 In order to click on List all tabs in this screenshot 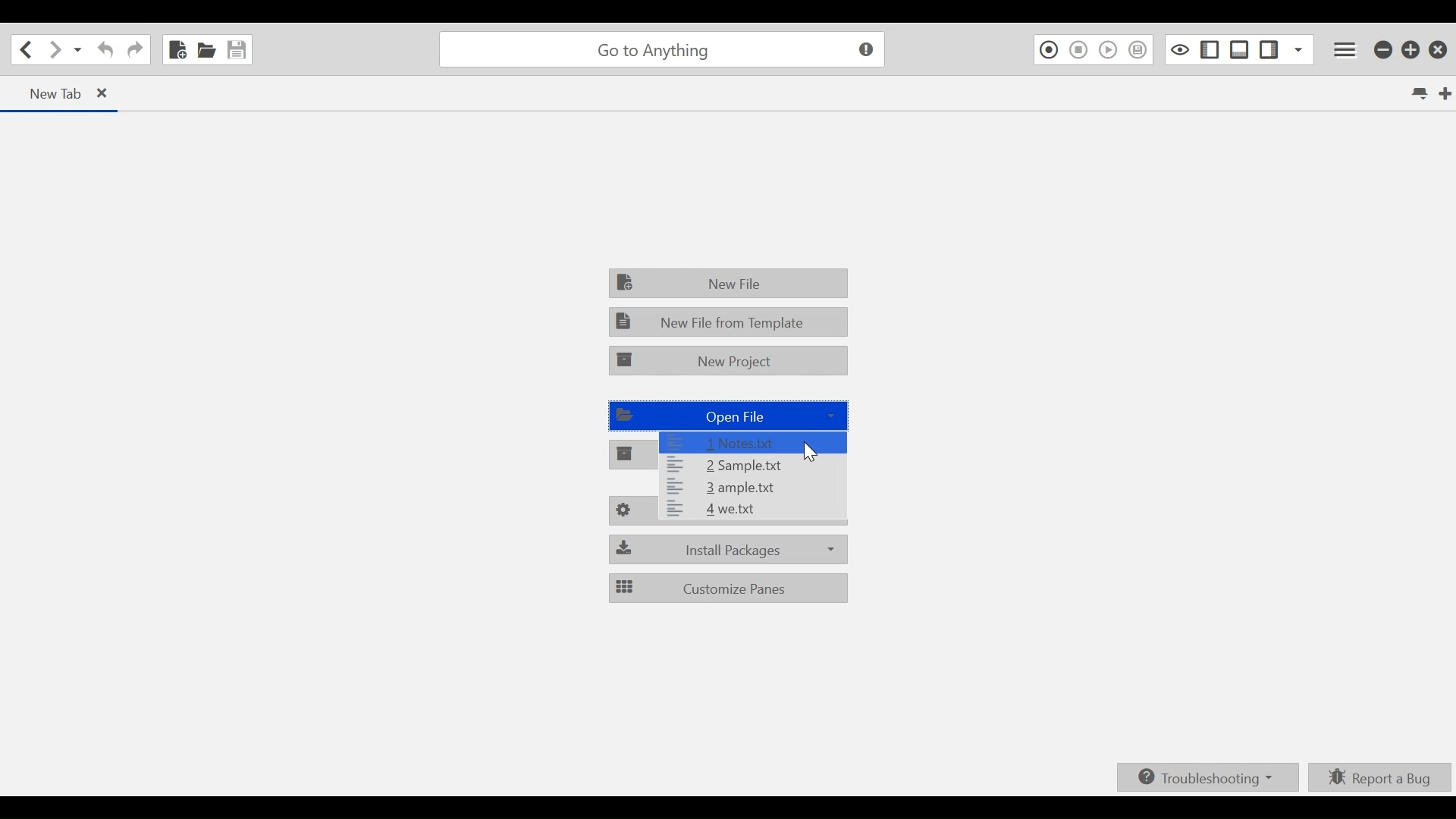, I will do `click(1418, 93)`.